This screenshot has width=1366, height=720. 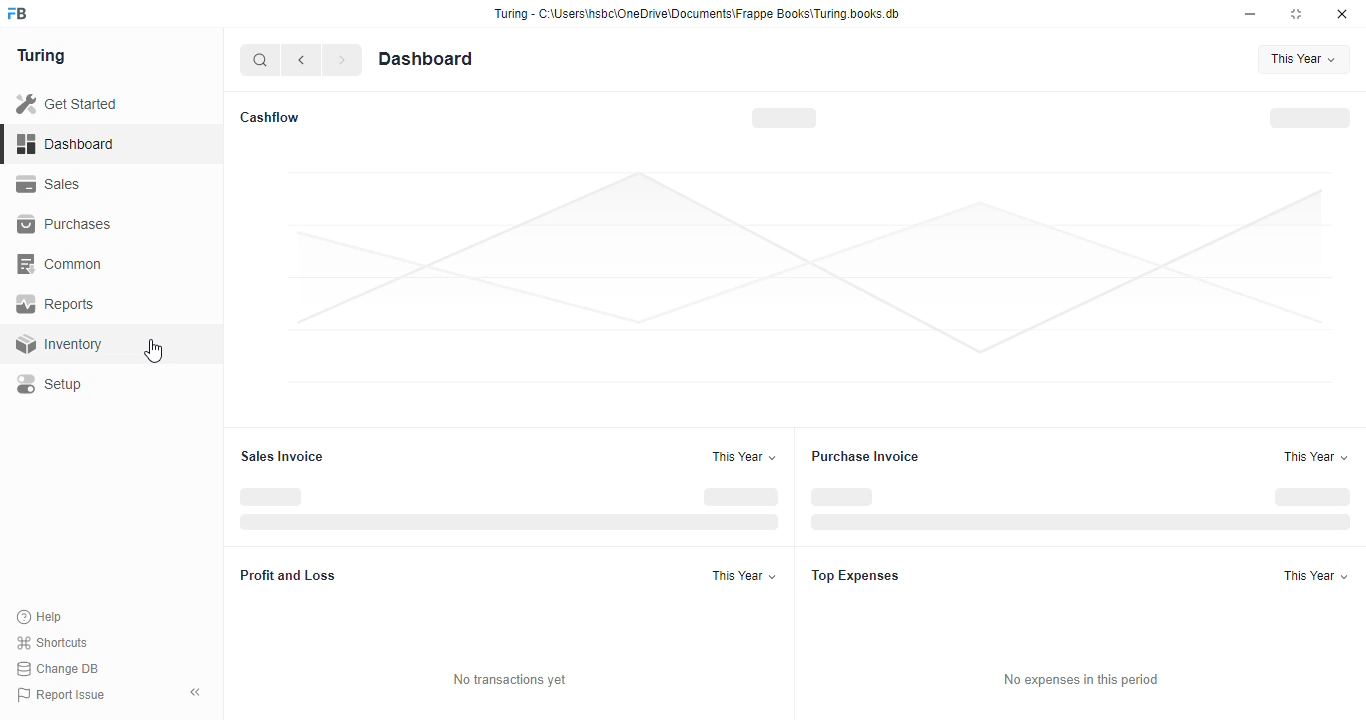 I want to click on setup, so click(x=51, y=385).